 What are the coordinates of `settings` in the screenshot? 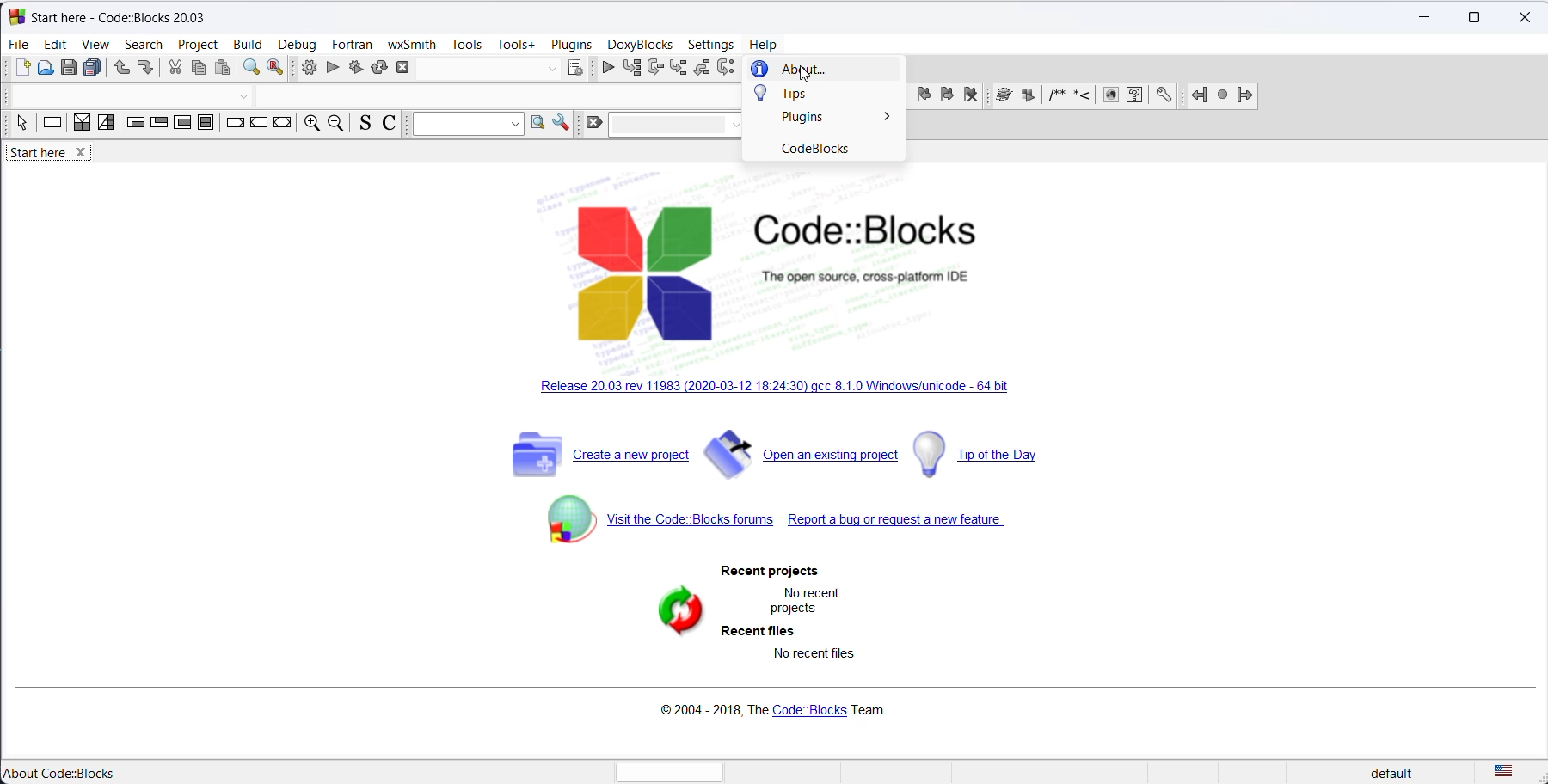 It's located at (709, 46).